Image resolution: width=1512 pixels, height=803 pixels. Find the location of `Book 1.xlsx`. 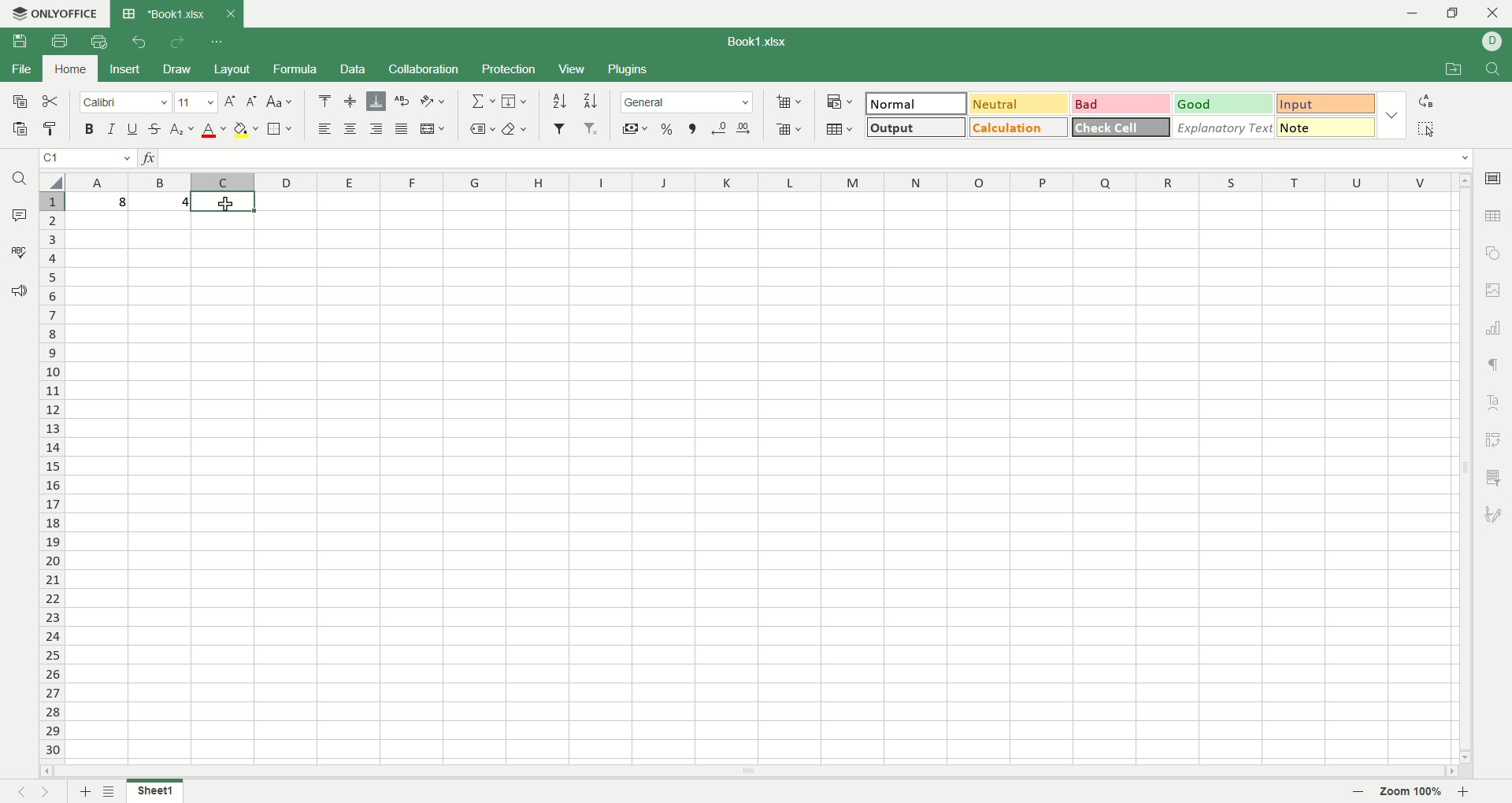

Book 1.xlsx is located at coordinates (755, 42).